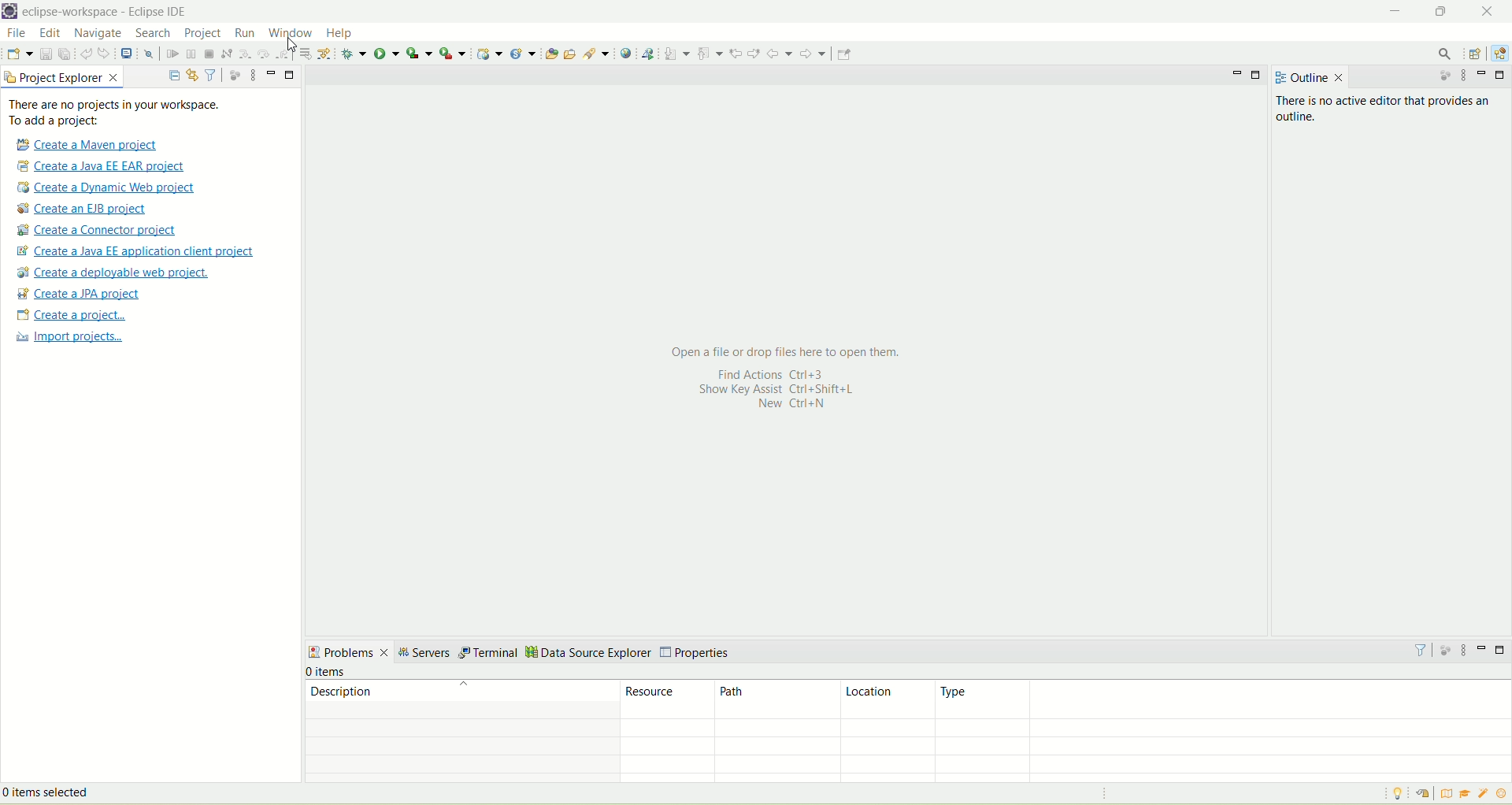 The image size is (1512, 805). Describe the element at coordinates (1306, 75) in the screenshot. I see `outline` at that location.